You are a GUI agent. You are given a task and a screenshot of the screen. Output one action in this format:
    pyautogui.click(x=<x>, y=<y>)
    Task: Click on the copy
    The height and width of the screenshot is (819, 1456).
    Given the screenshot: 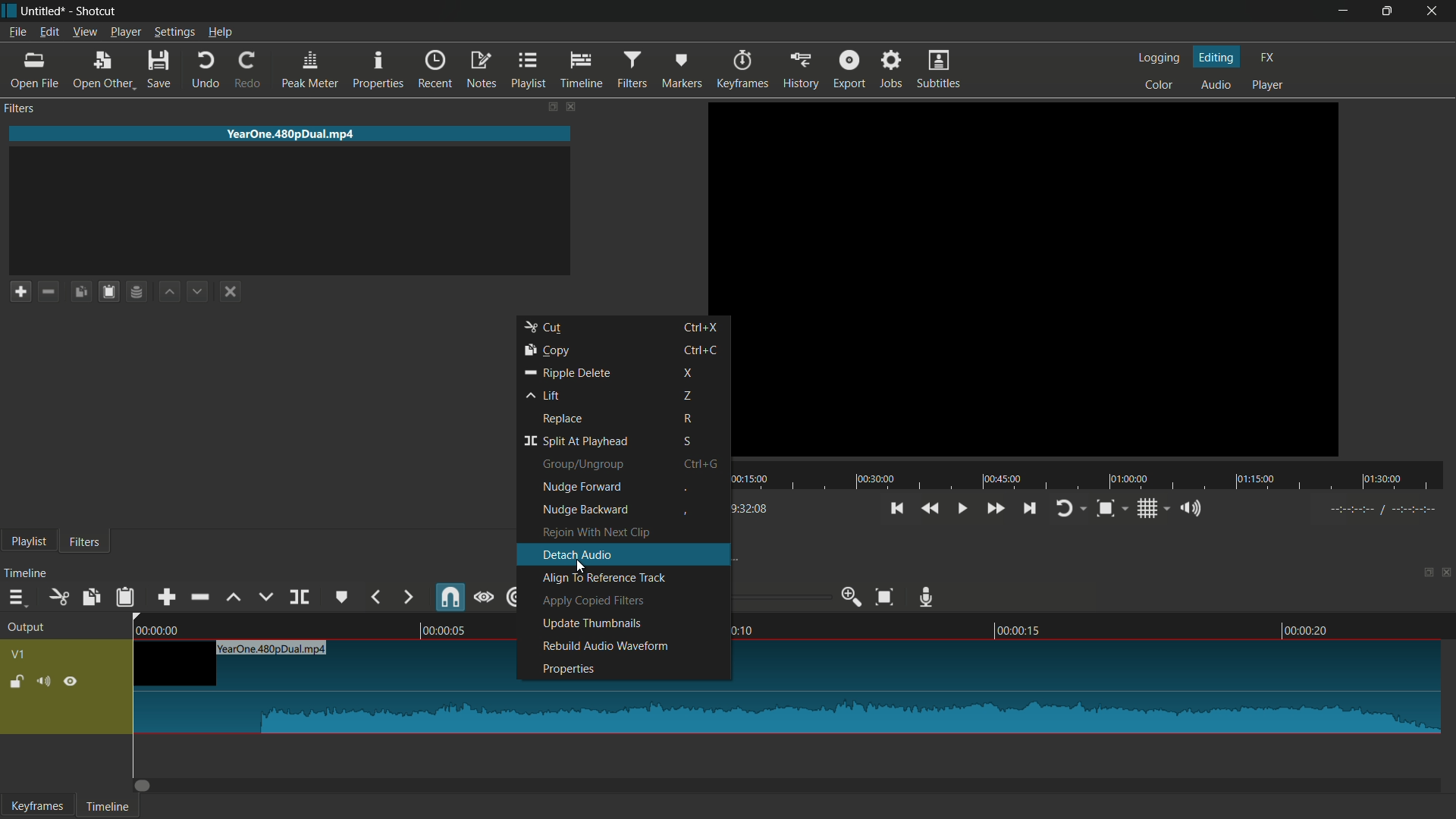 What is the action you would take?
    pyautogui.click(x=92, y=595)
    